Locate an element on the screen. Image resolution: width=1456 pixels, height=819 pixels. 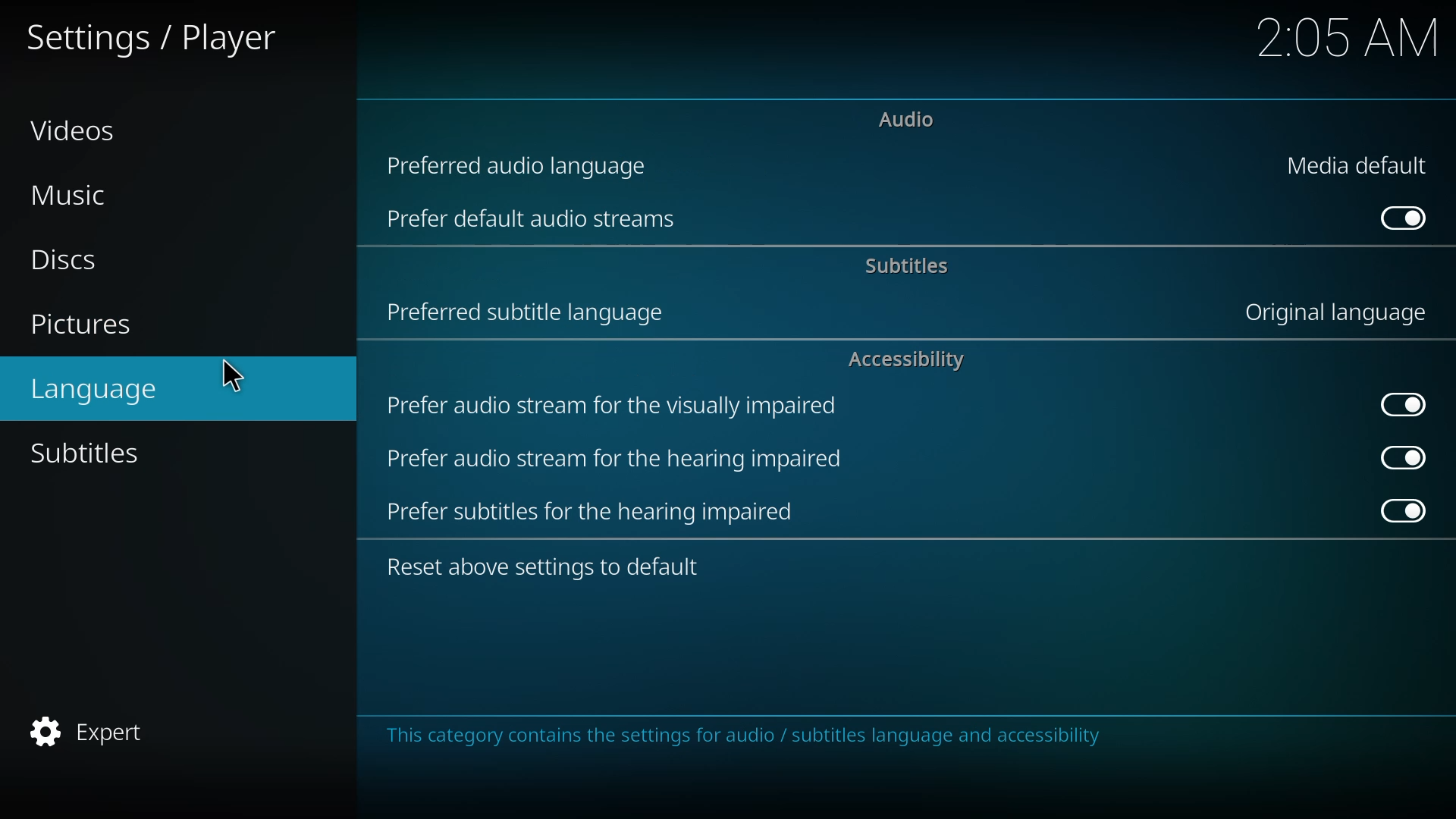
expert is located at coordinates (87, 733).